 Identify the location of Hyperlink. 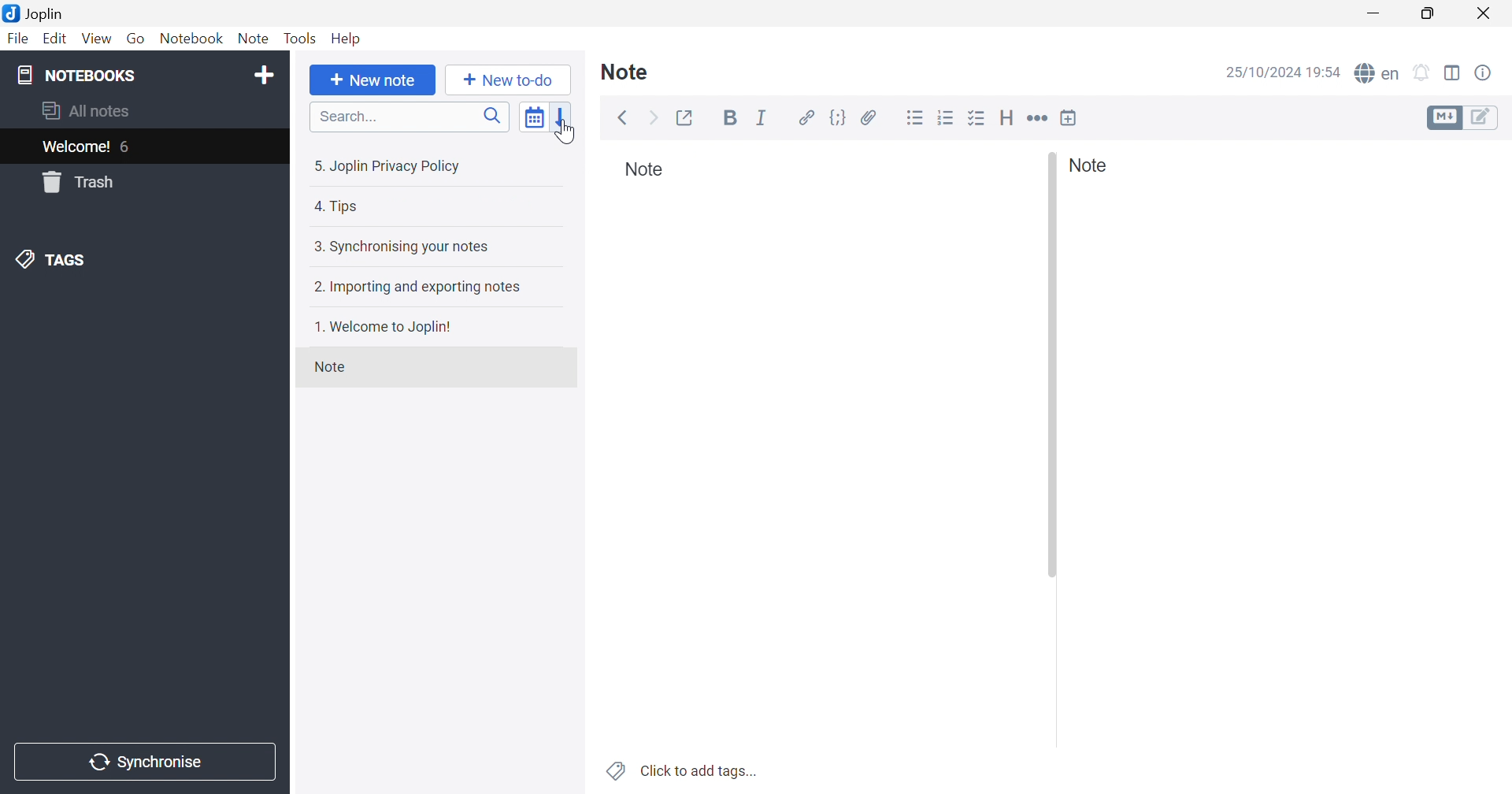
(807, 118).